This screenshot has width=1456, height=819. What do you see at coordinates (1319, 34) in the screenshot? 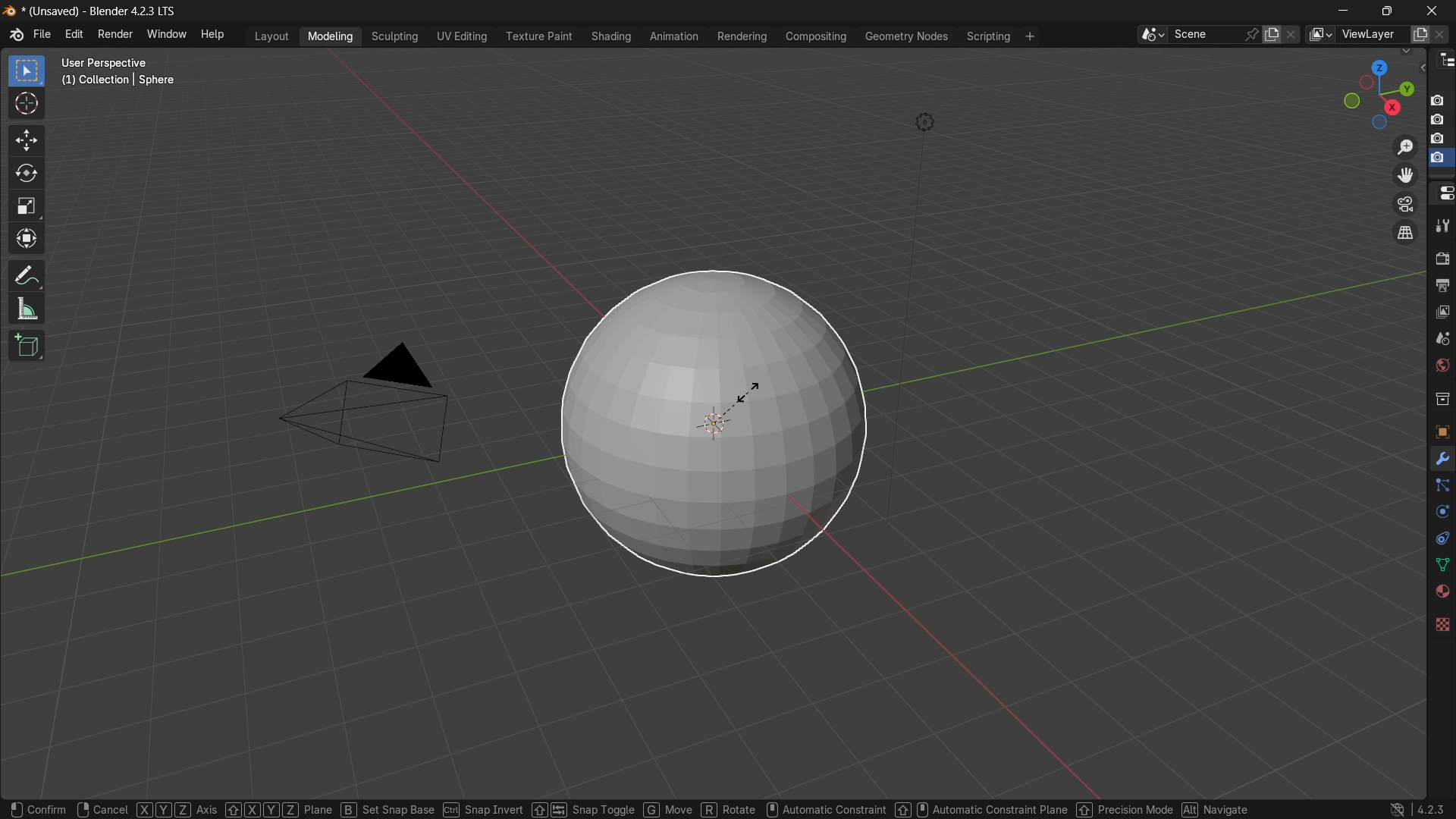
I see `browse views` at bounding box center [1319, 34].